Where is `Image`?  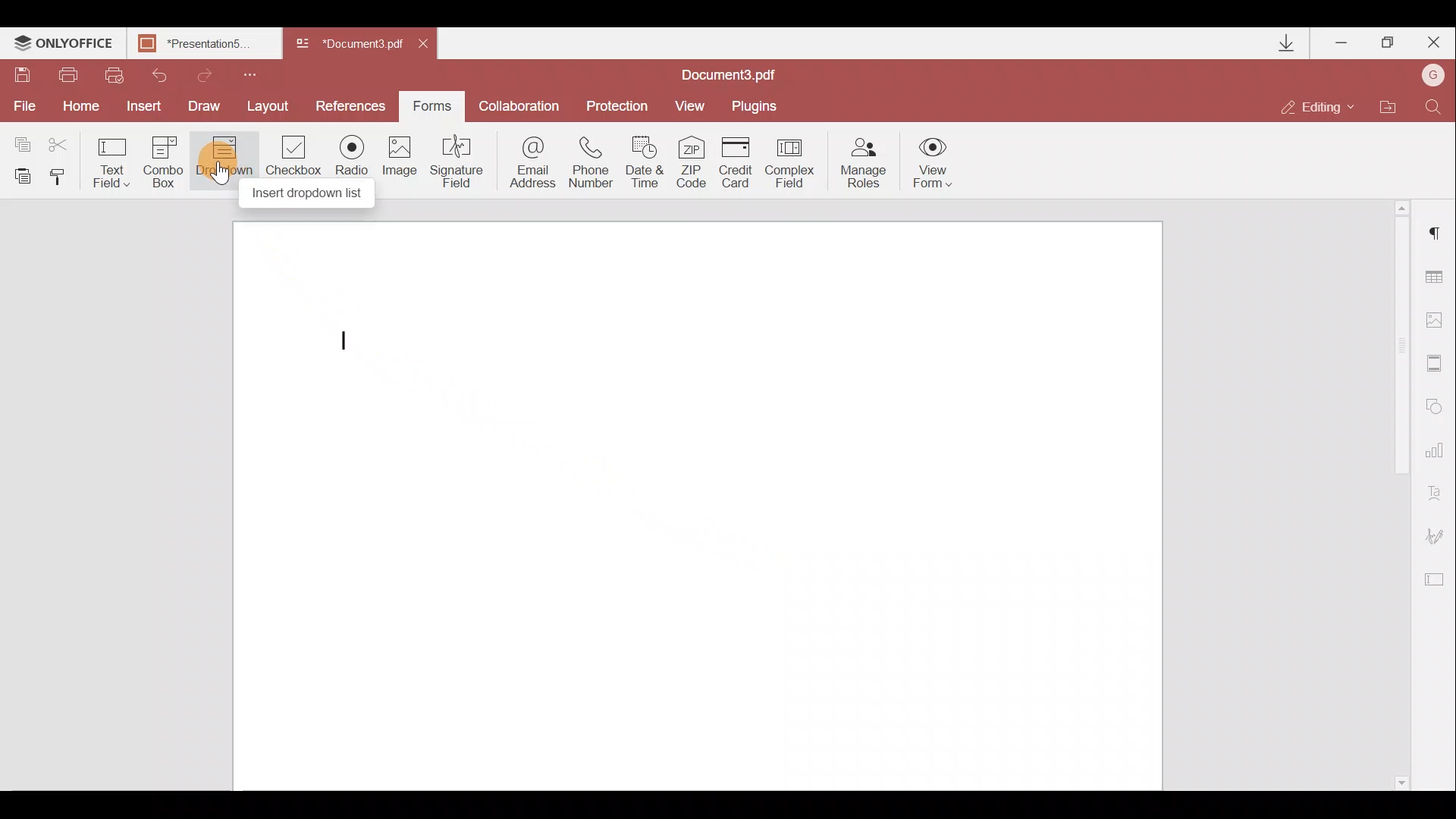
Image is located at coordinates (403, 161).